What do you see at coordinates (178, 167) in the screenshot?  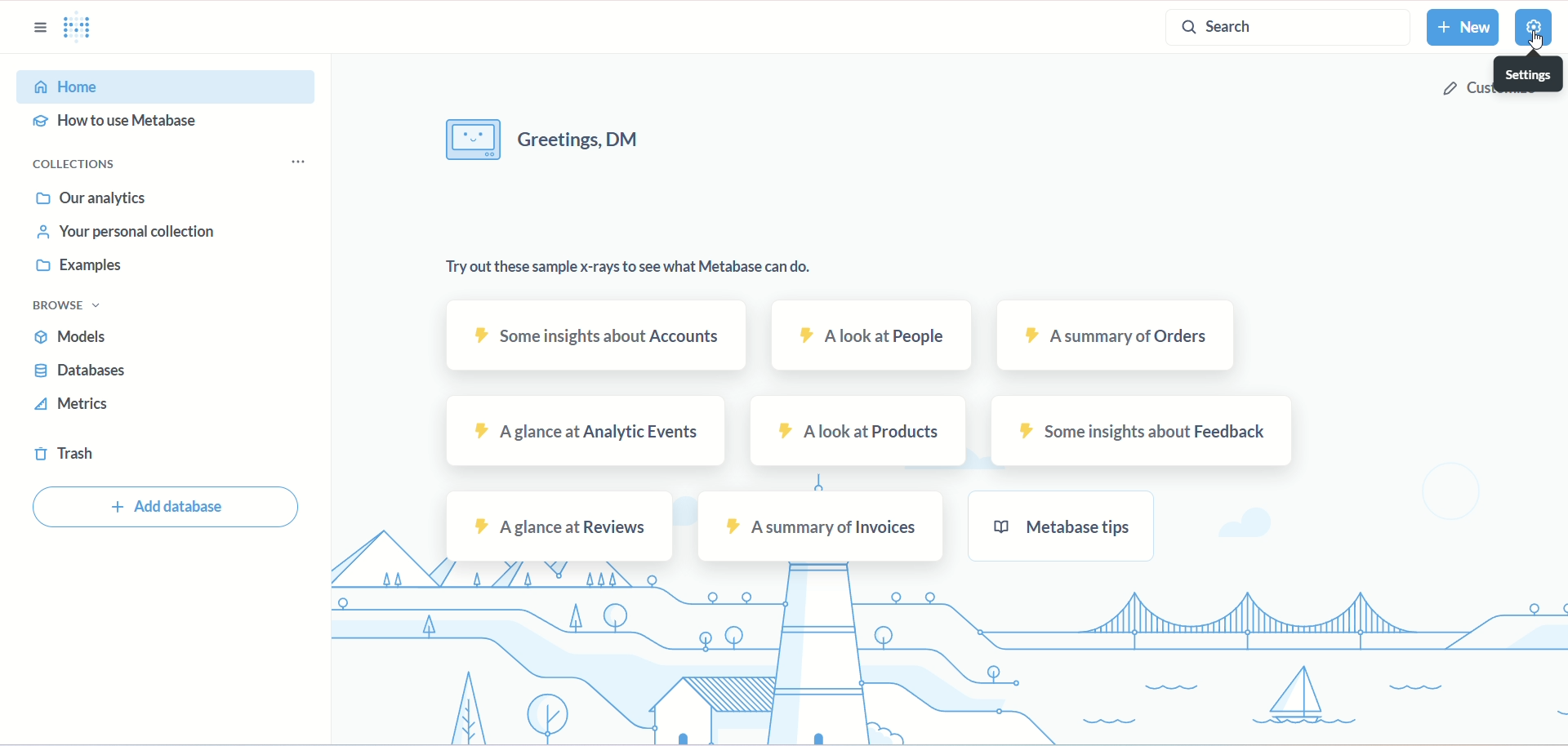 I see `collections` at bounding box center [178, 167].